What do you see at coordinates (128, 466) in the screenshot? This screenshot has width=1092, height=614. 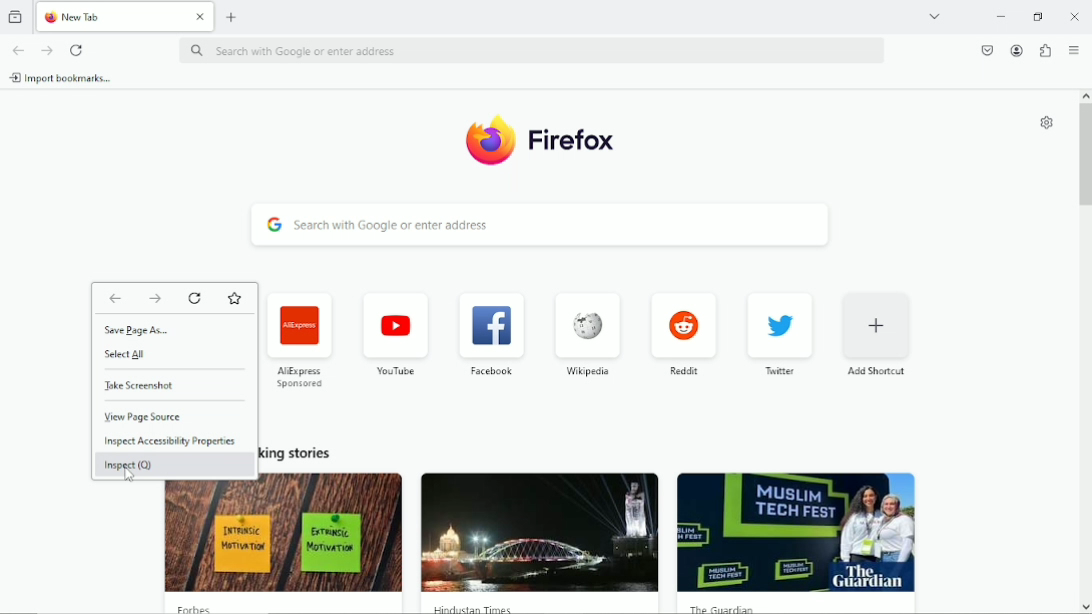 I see `Inspect (Q)` at bounding box center [128, 466].